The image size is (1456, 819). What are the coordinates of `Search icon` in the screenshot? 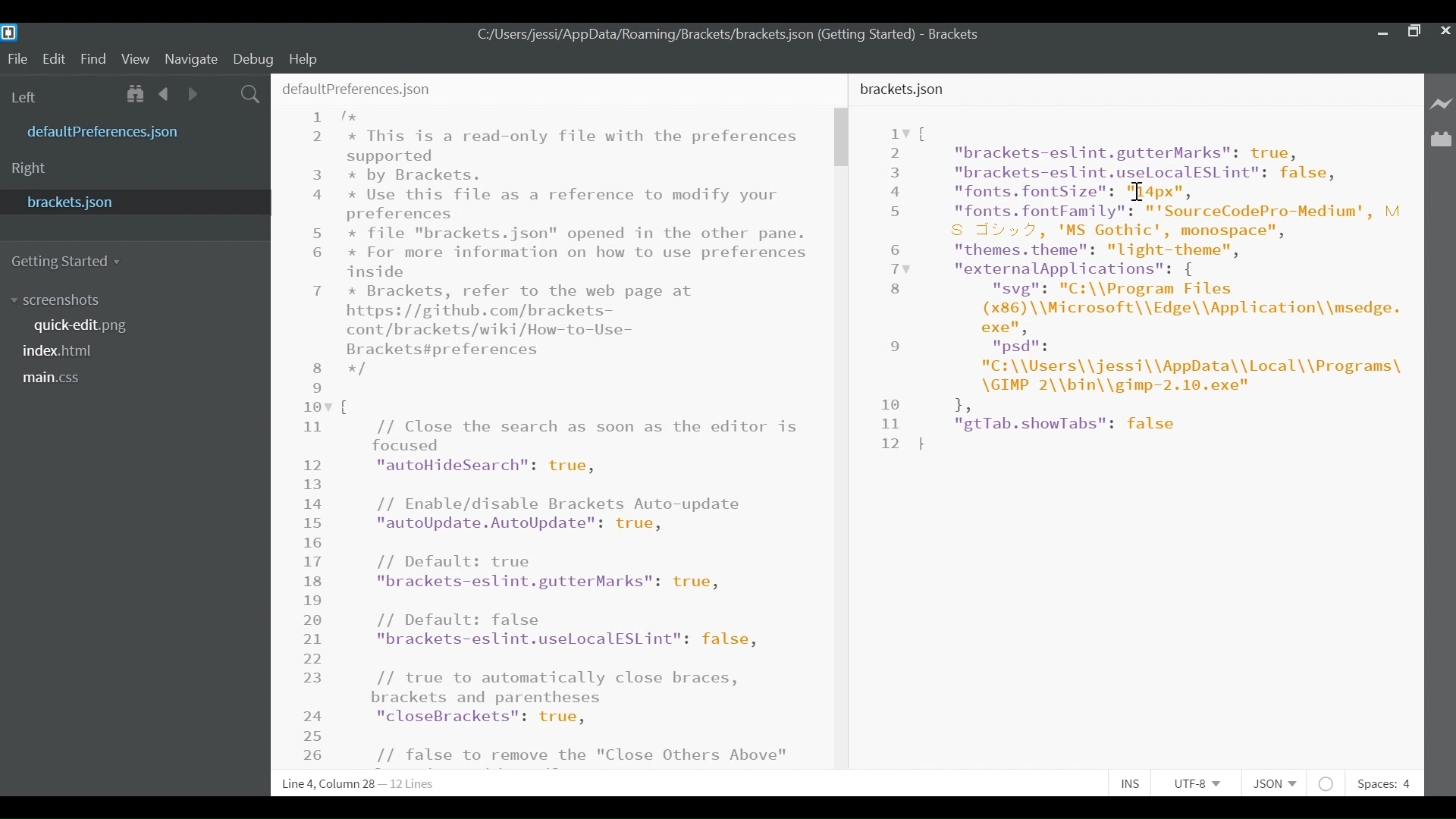 It's located at (251, 95).